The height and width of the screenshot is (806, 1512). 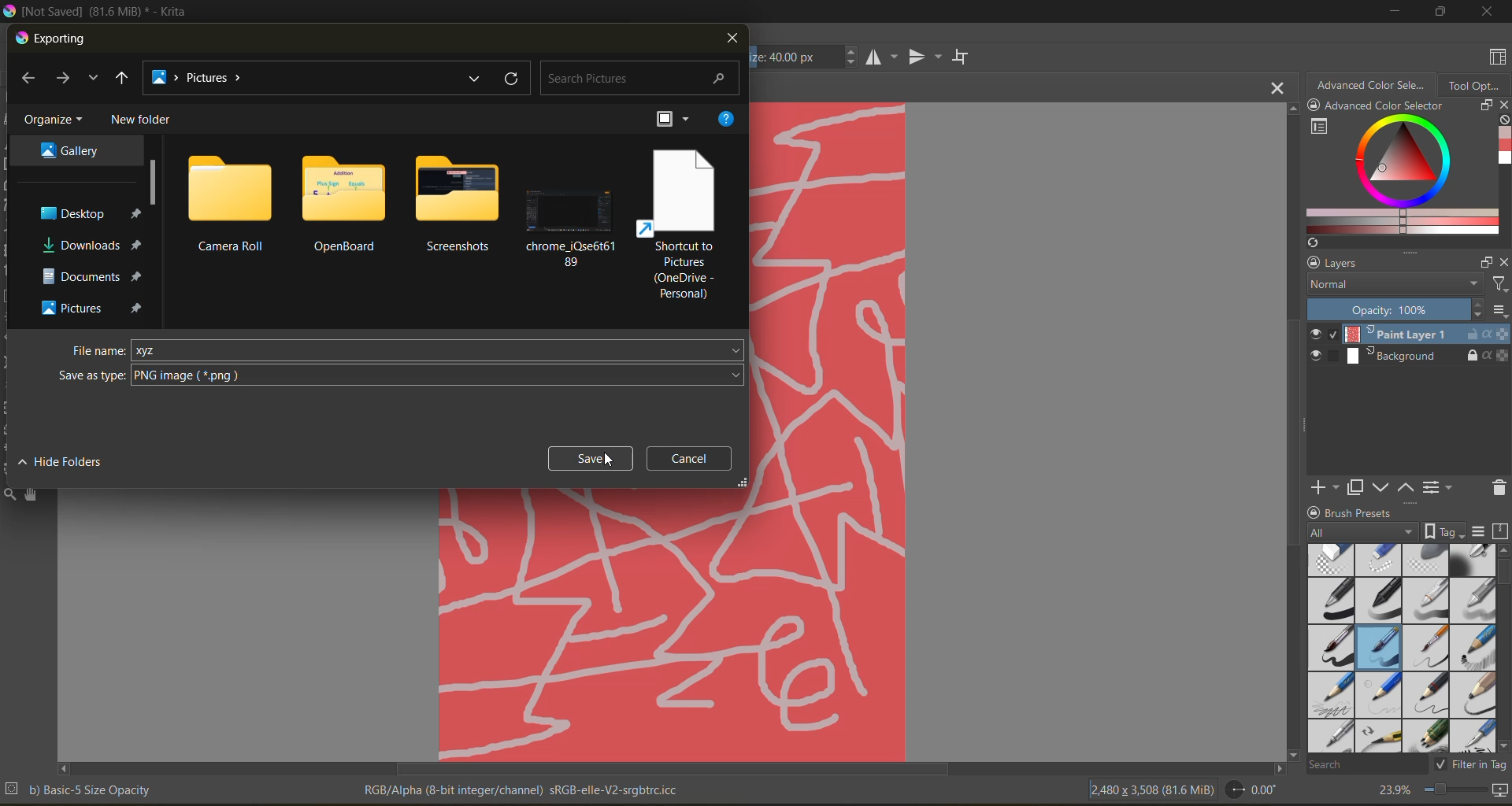 I want to click on metadata, so click(x=80, y=789).